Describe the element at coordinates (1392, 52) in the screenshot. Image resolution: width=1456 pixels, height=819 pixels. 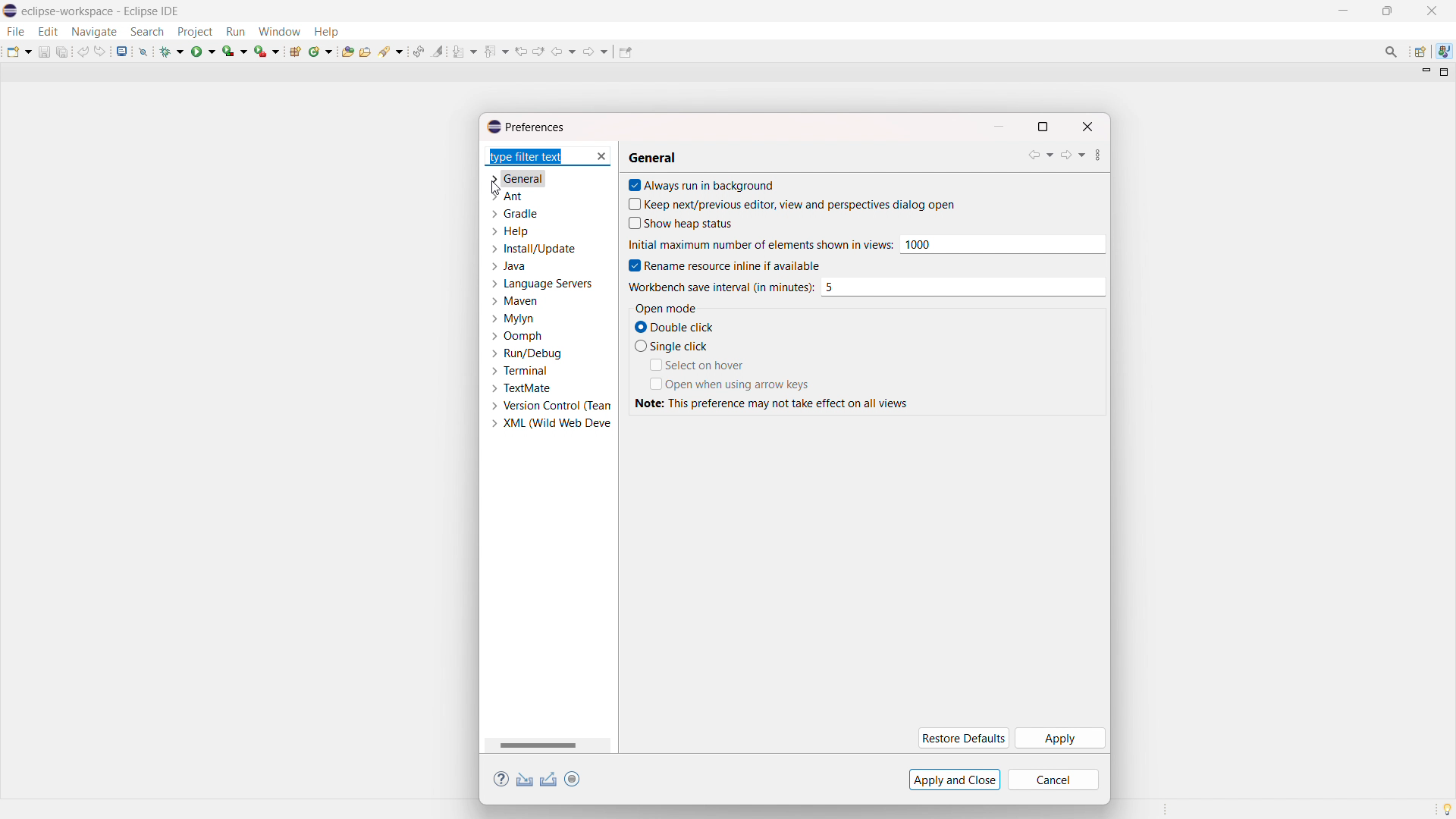
I see `access commands and other items` at that location.